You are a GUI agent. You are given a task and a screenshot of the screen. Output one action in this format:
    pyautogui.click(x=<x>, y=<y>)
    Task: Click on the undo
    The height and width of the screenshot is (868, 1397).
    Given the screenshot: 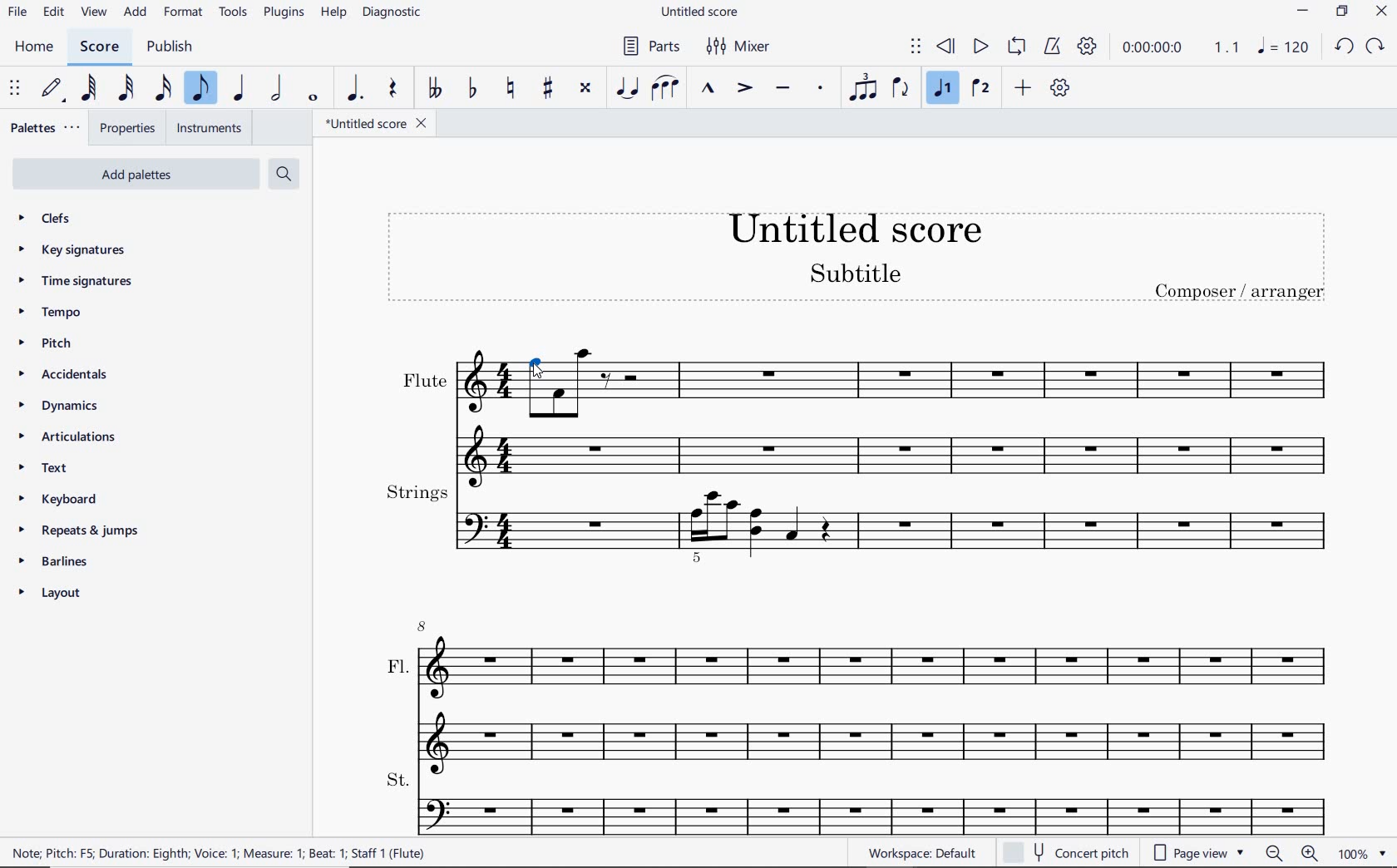 What is the action you would take?
    pyautogui.click(x=1345, y=47)
    